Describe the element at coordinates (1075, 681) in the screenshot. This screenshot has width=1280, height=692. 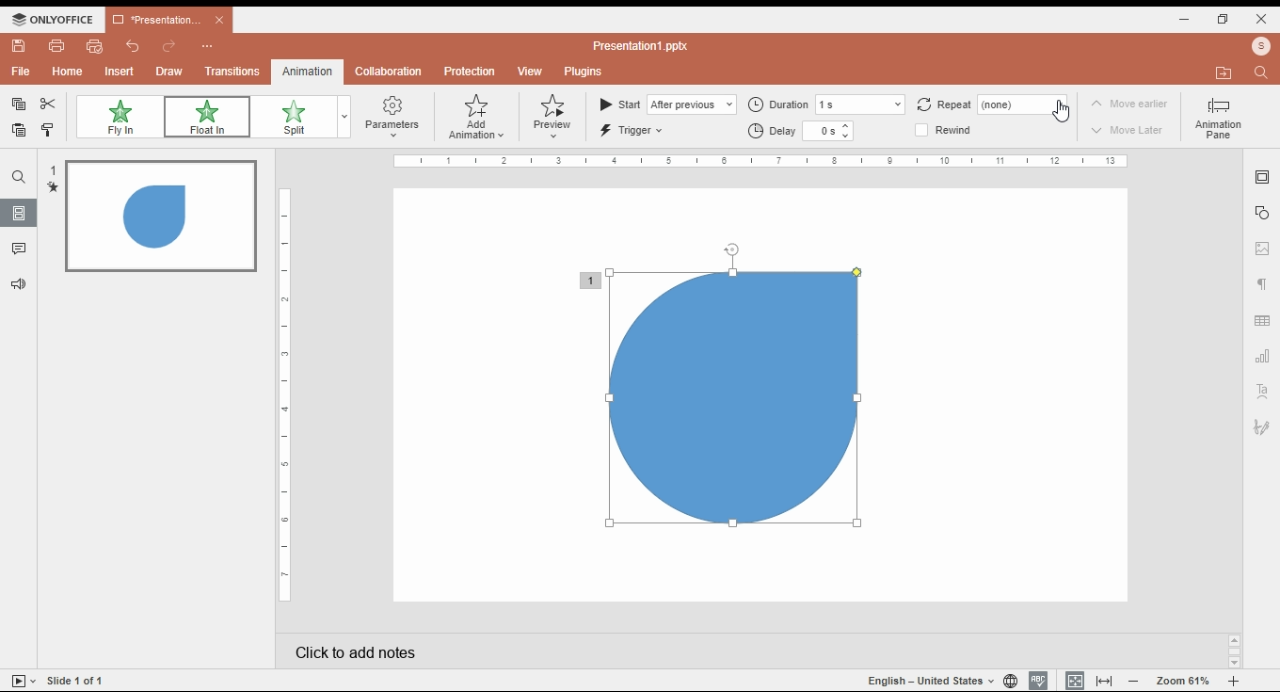
I see `fit to slide` at that location.